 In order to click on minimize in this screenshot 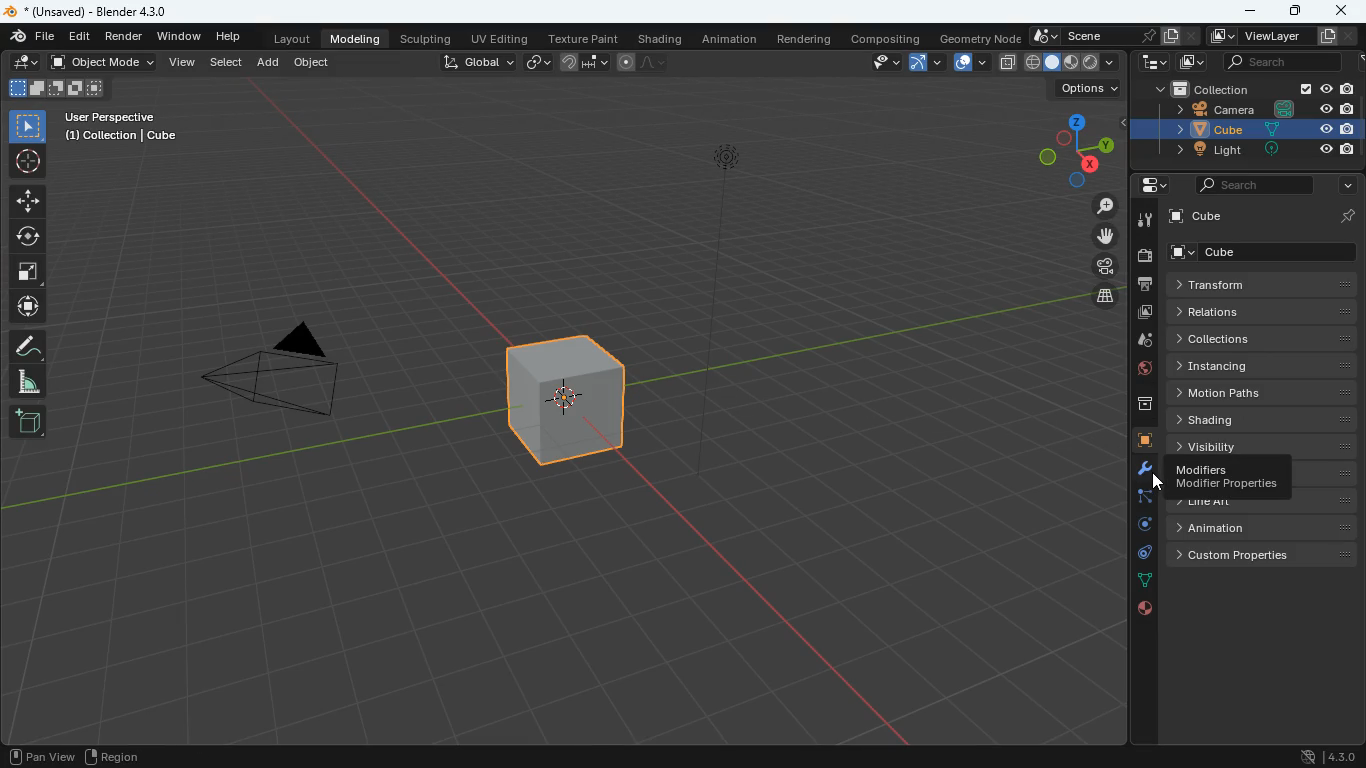, I will do `click(1247, 12)`.